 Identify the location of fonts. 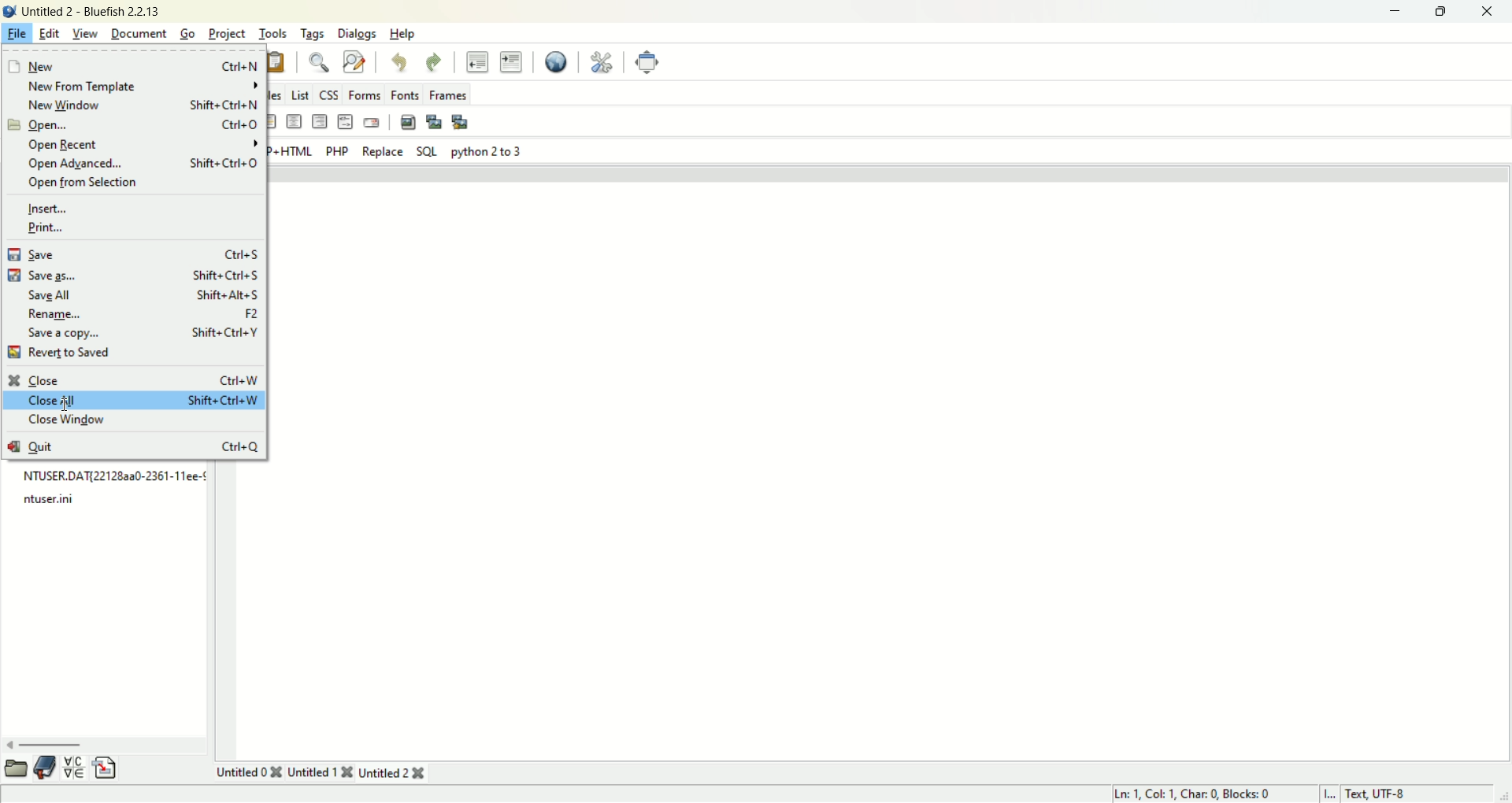
(406, 93).